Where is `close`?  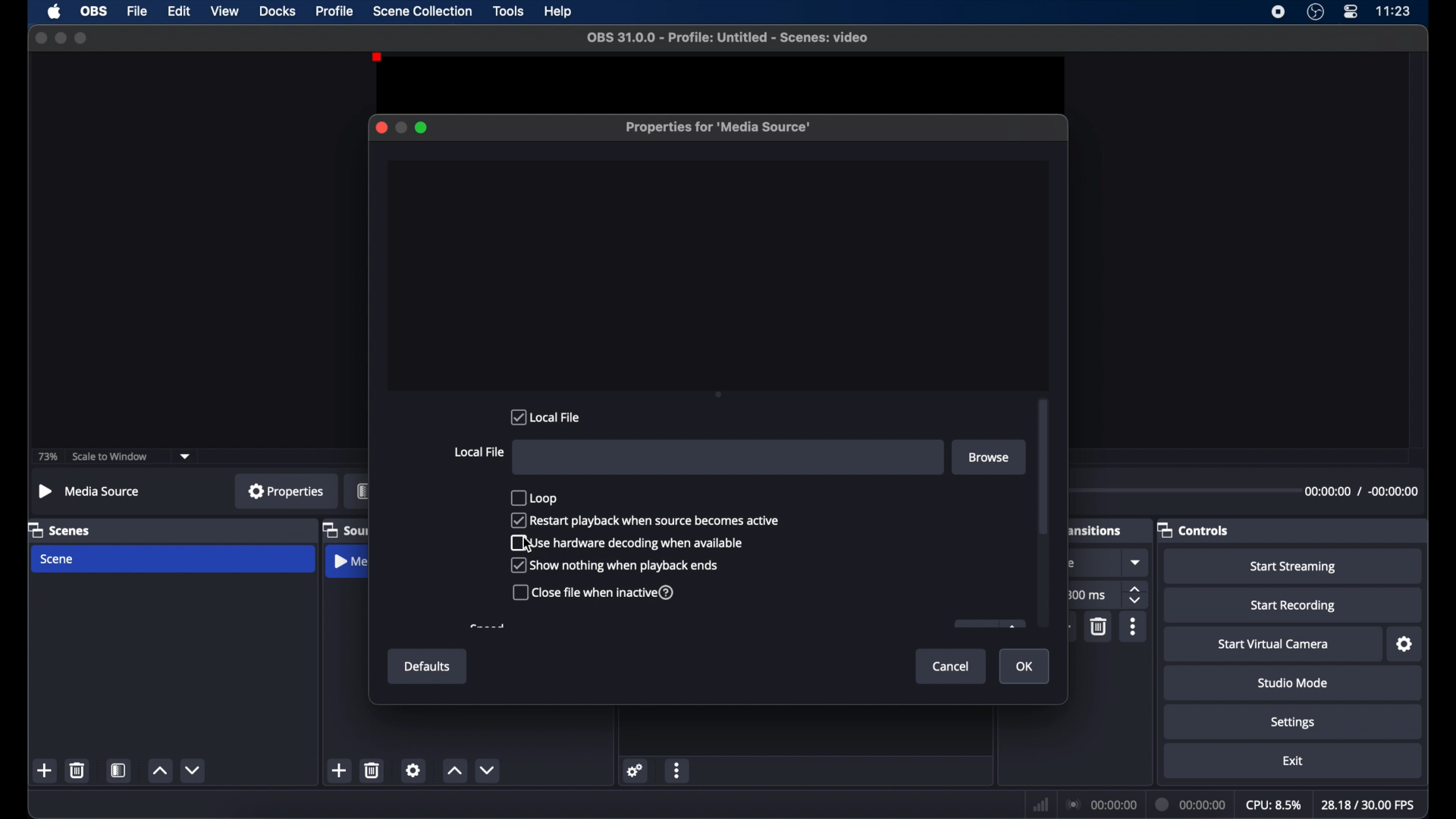
close is located at coordinates (381, 127).